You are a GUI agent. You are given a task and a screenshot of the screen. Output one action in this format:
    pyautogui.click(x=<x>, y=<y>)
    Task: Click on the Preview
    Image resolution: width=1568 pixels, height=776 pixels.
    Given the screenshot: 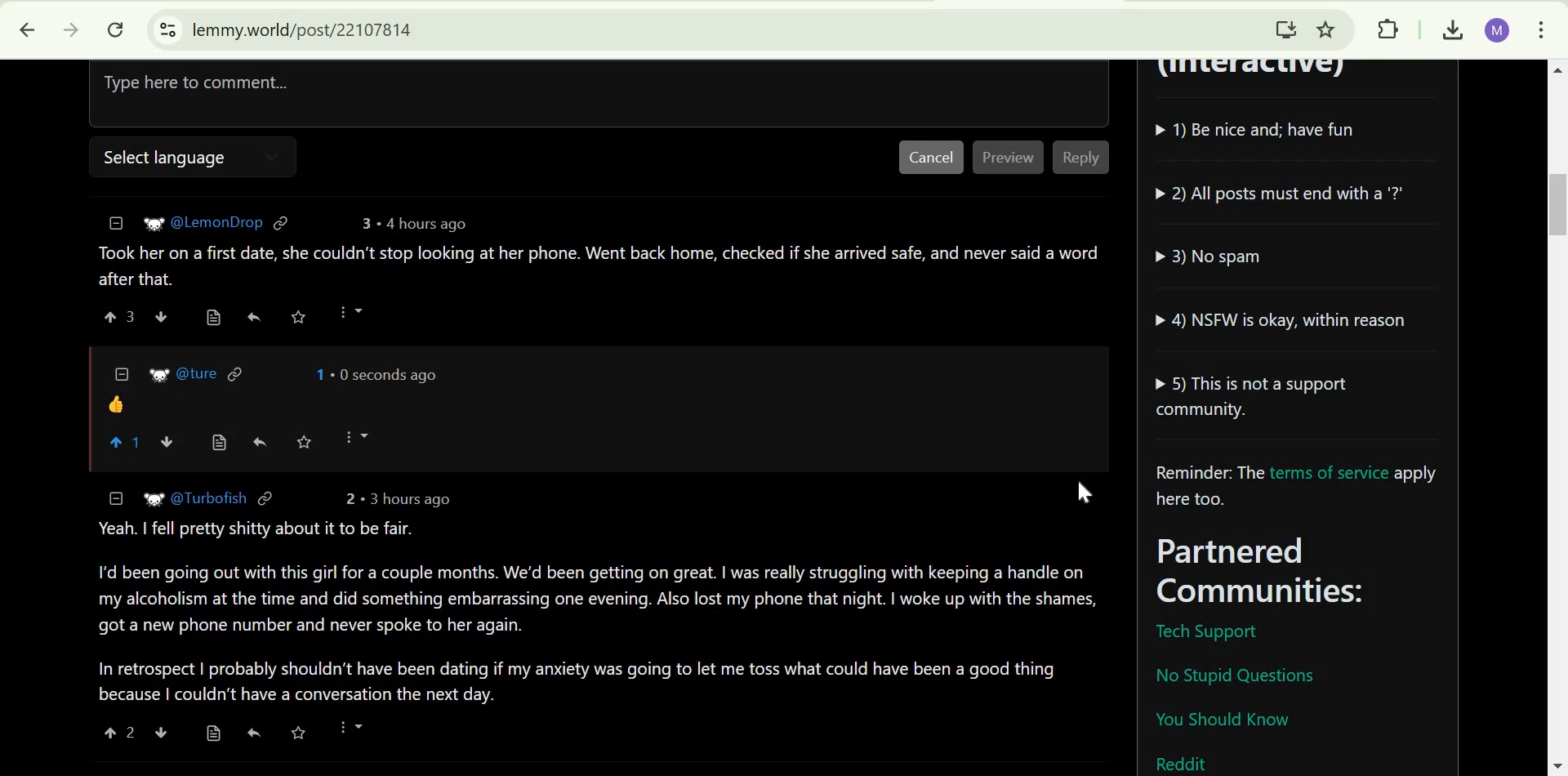 What is the action you would take?
    pyautogui.click(x=1009, y=158)
    